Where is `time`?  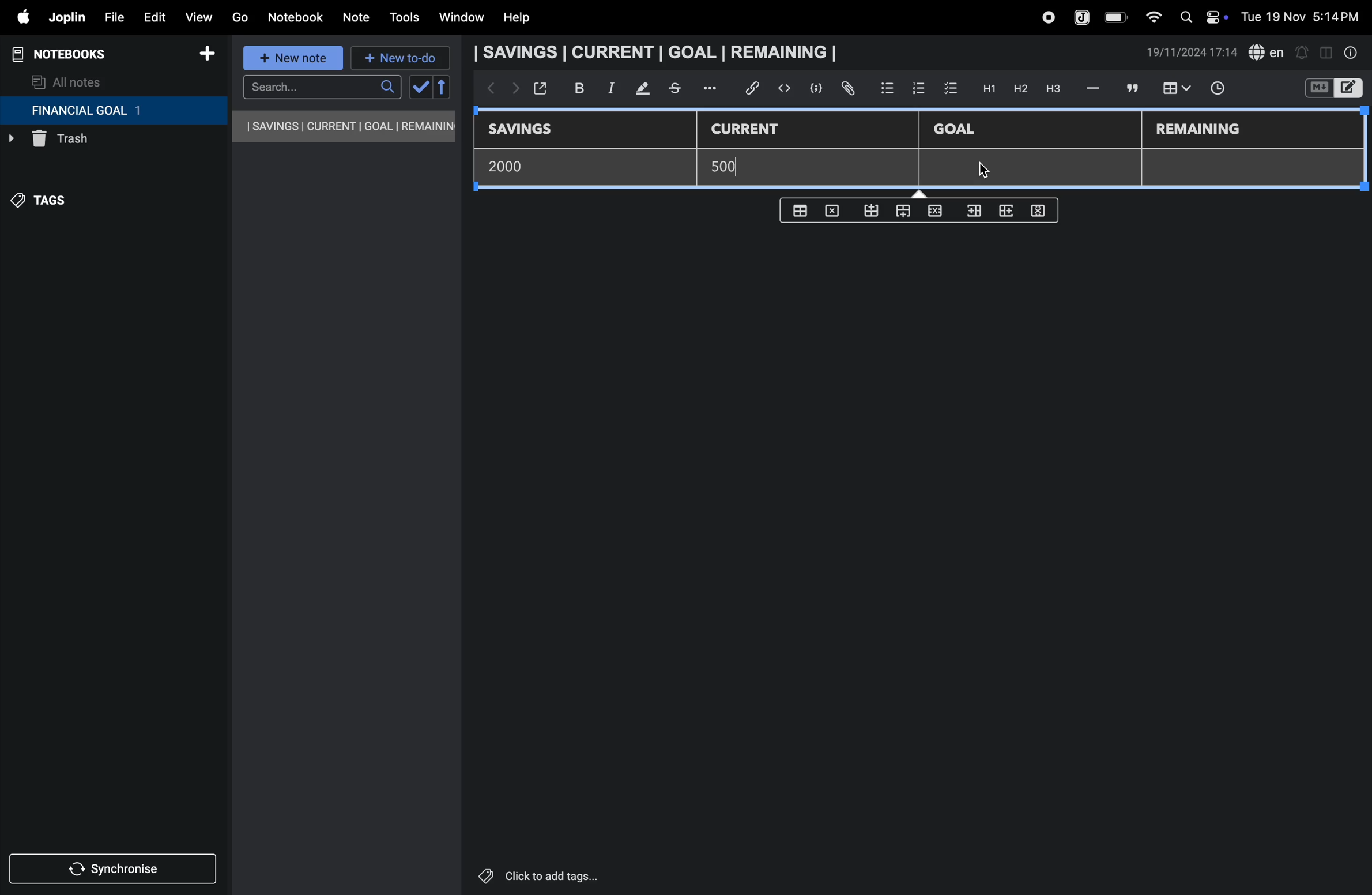
time is located at coordinates (1225, 89).